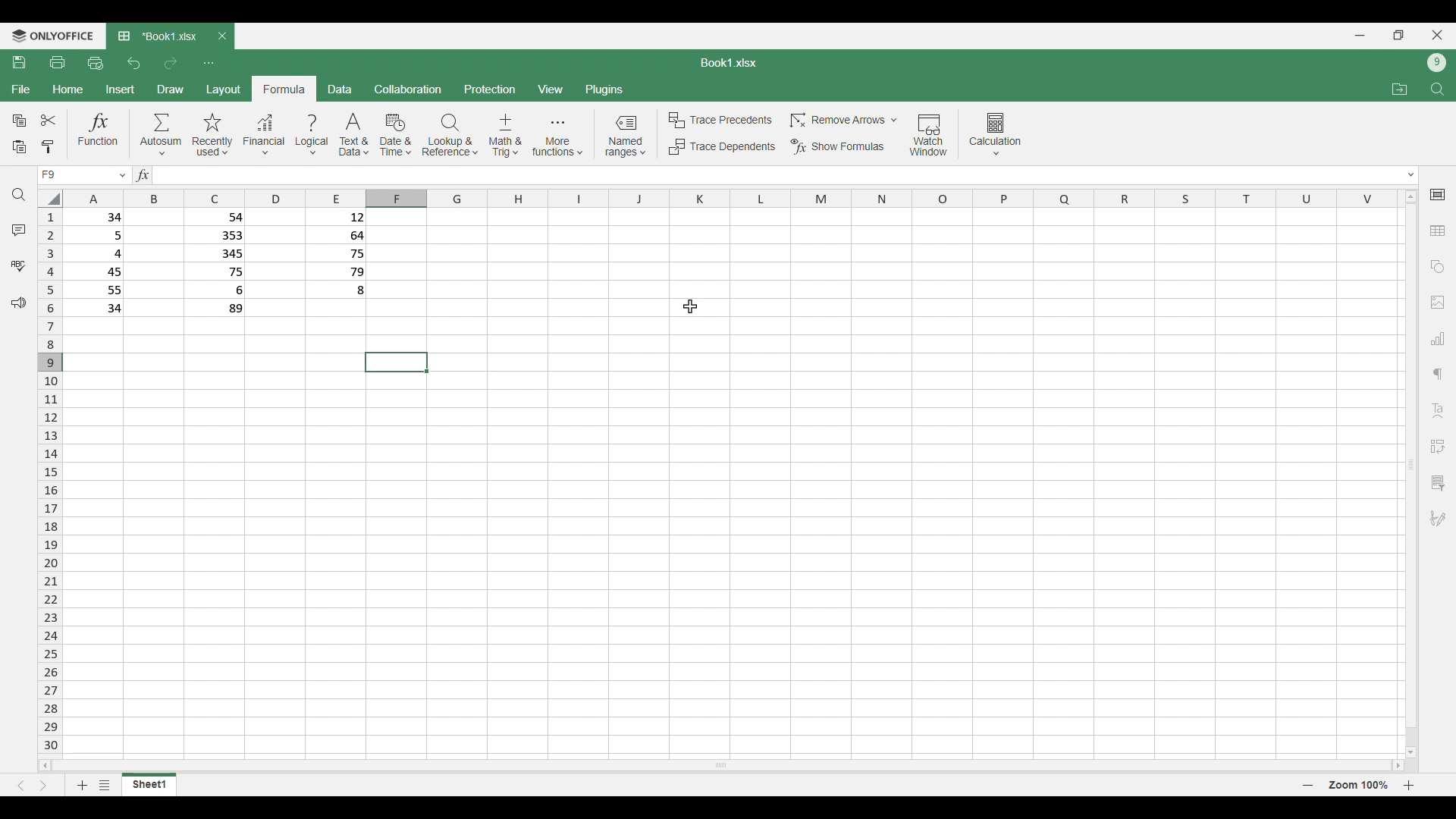 The width and height of the screenshot is (1456, 819). I want to click on List of sheets, so click(105, 785).